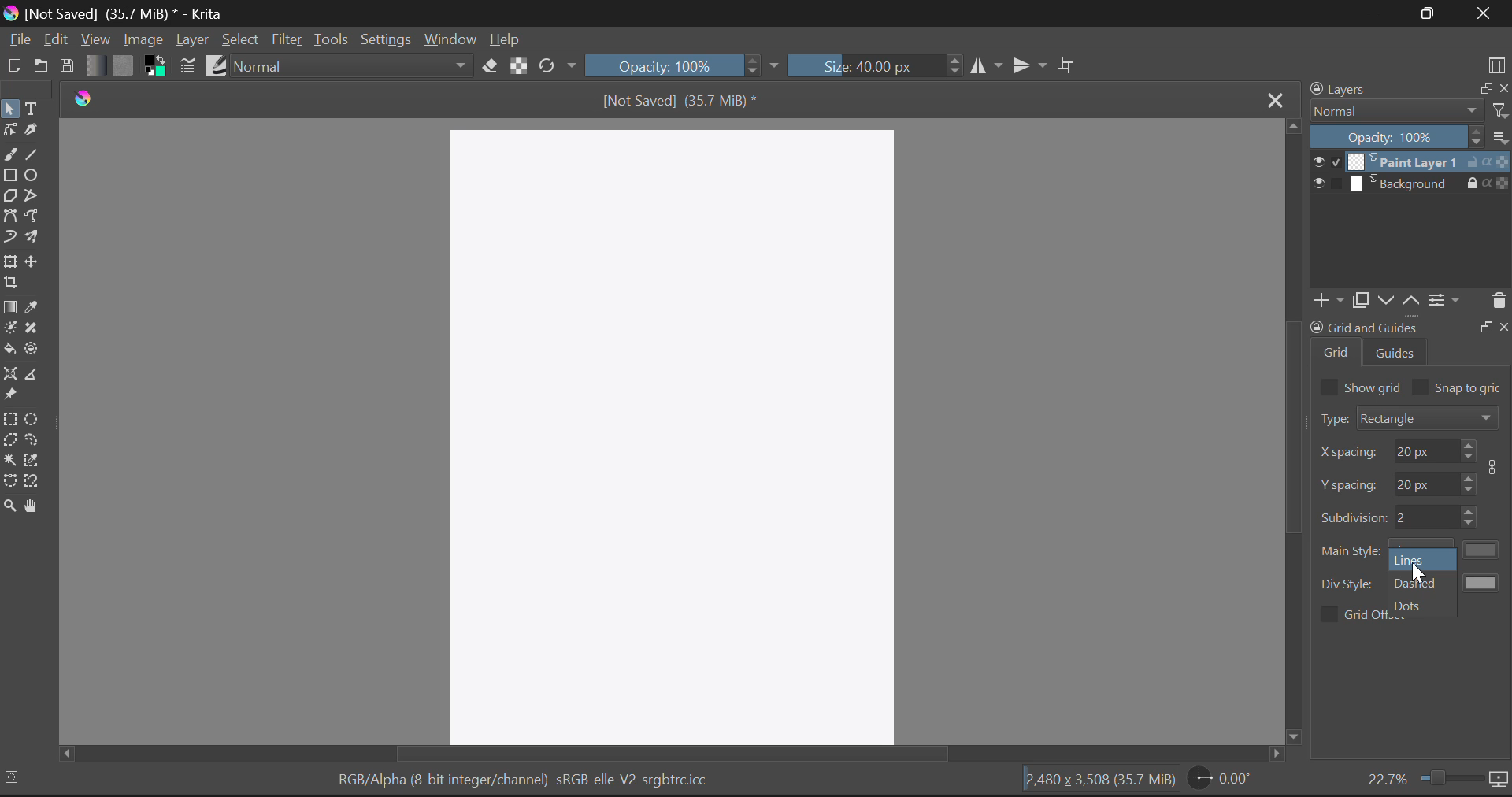 Image resolution: width=1512 pixels, height=797 pixels. Describe the element at coordinates (521, 783) in the screenshot. I see `RGB/Alpha (8-bit integer/channel) sRGB-elle-V2-srgbtrc.icc` at that location.